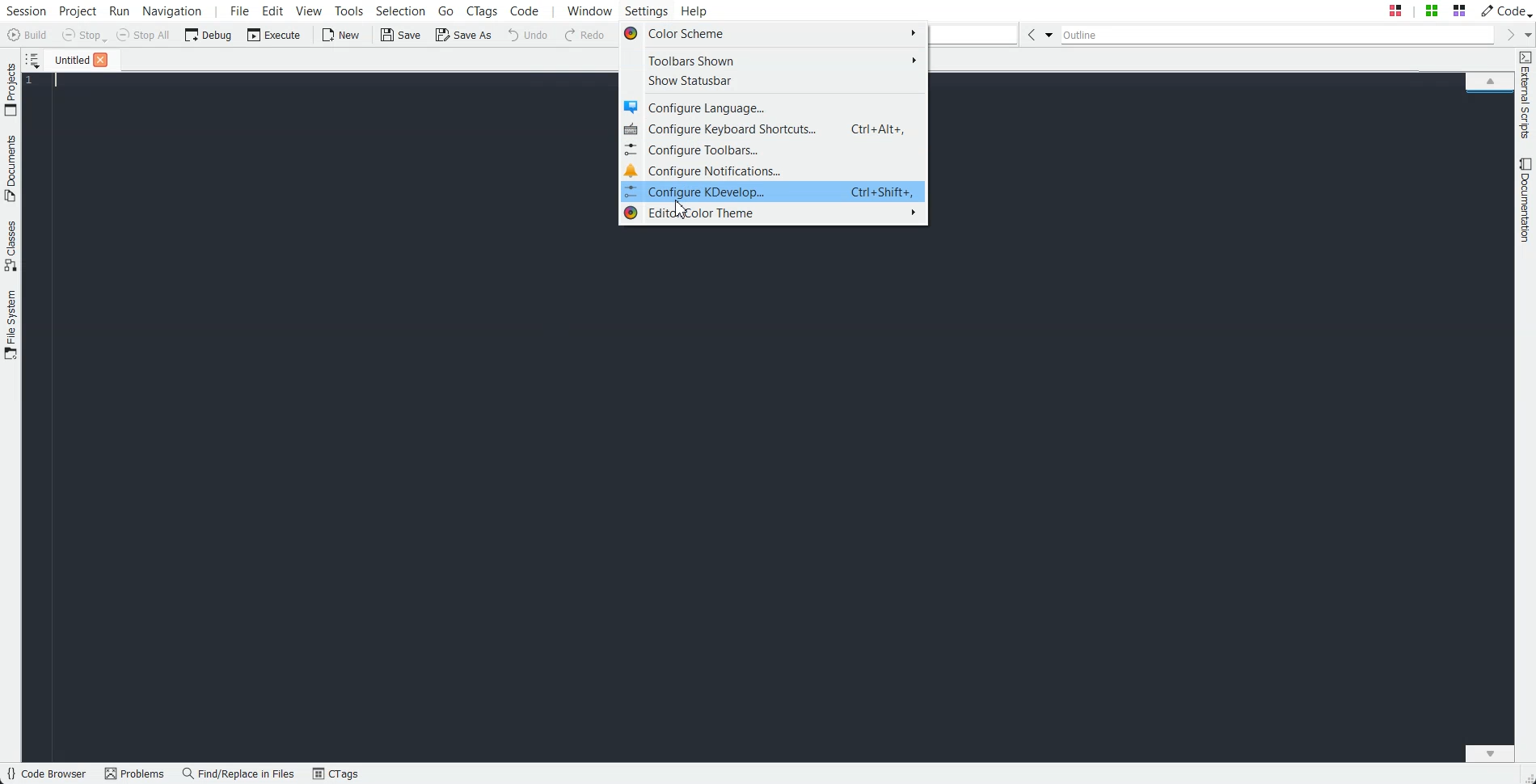 Image resolution: width=1536 pixels, height=784 pixels. Describe the element at coordinates (1490, 752) in the screenshot. I see `Scroll down` at that location.